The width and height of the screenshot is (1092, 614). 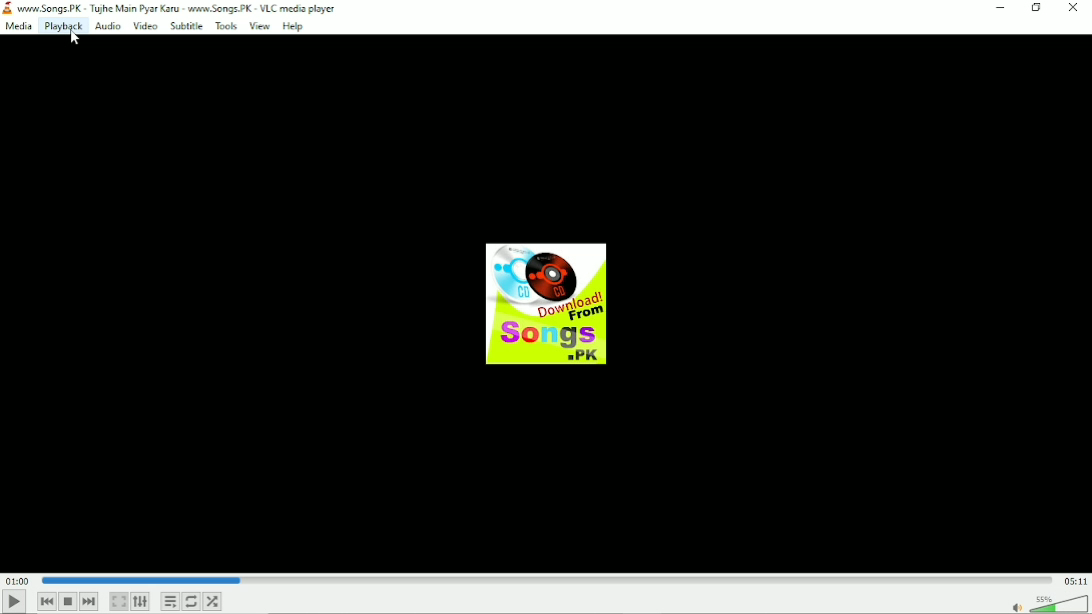 I want to click on Play duration, so click(x=545, y=578).